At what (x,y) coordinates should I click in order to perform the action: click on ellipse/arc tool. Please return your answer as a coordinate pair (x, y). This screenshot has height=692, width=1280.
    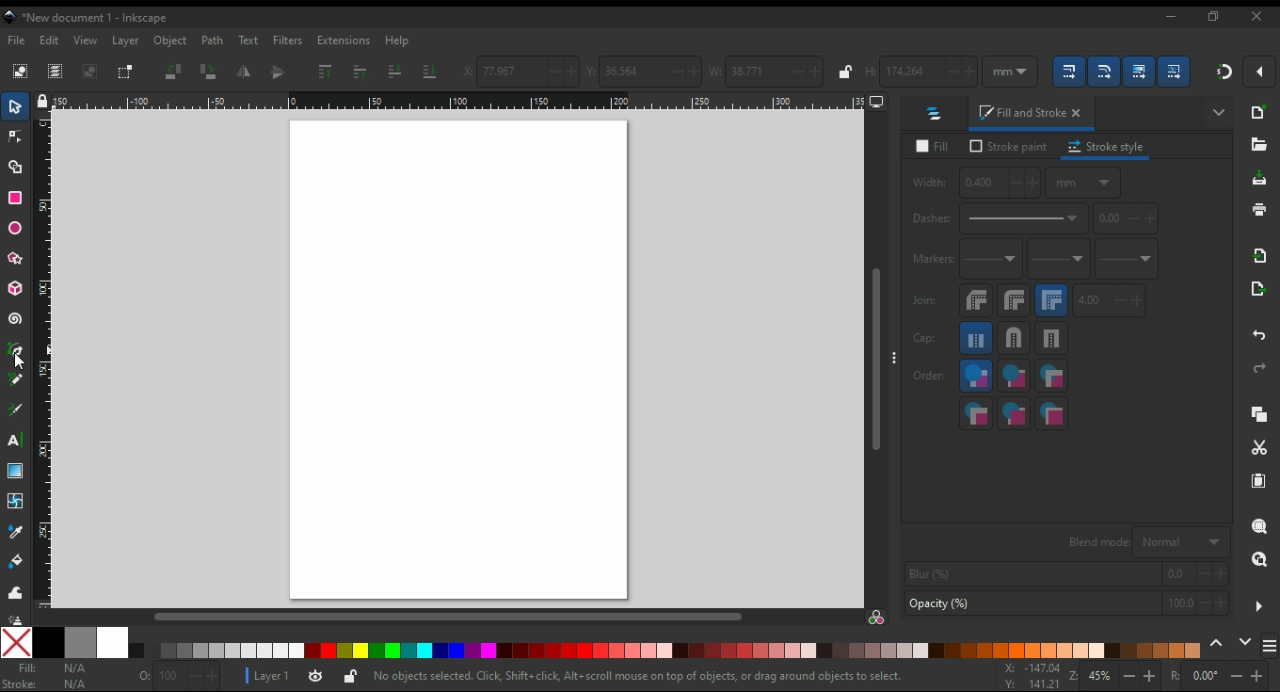
    Looking at the image, I should click on (17, 226).